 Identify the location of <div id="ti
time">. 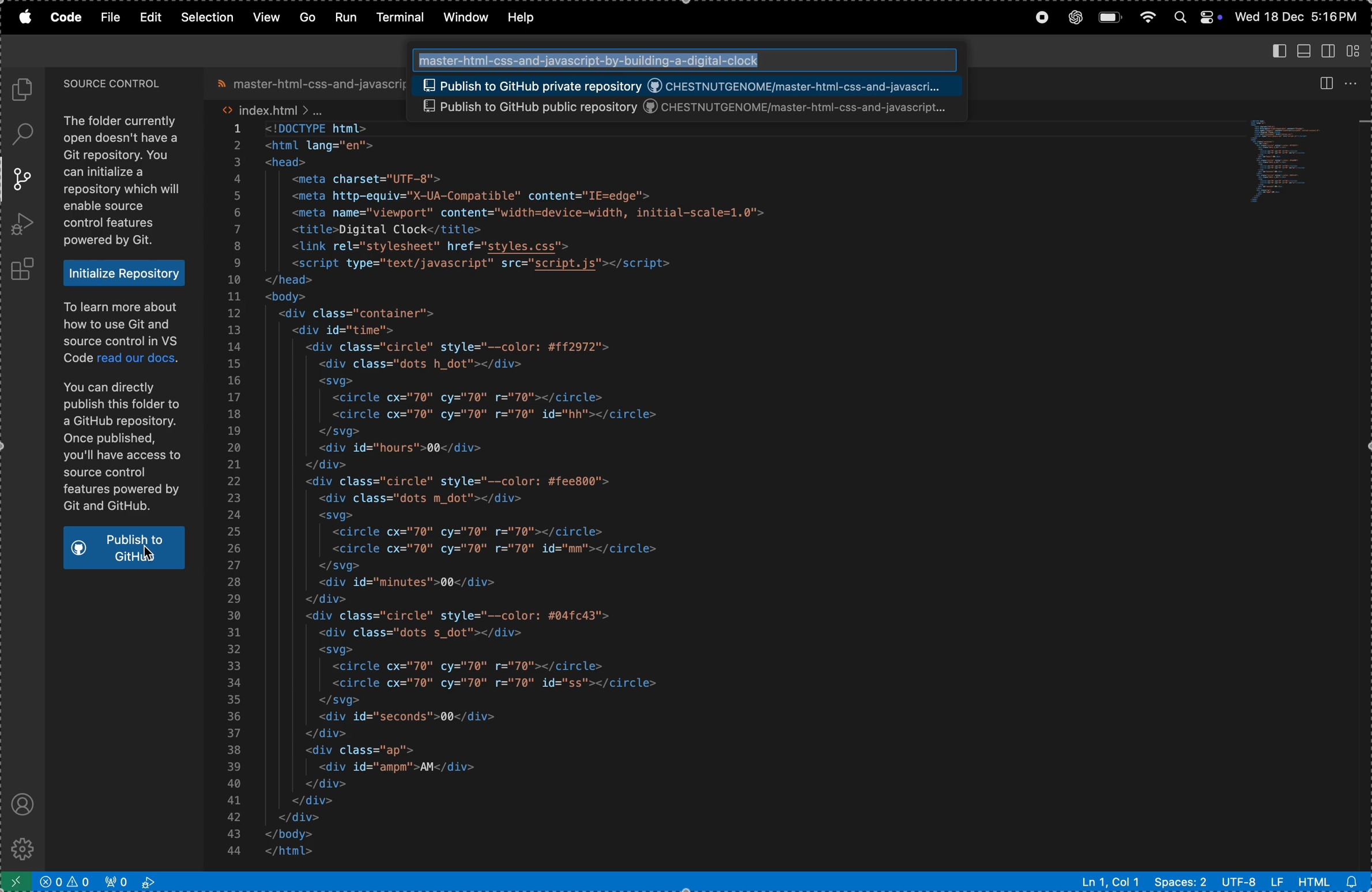
(353, 330).